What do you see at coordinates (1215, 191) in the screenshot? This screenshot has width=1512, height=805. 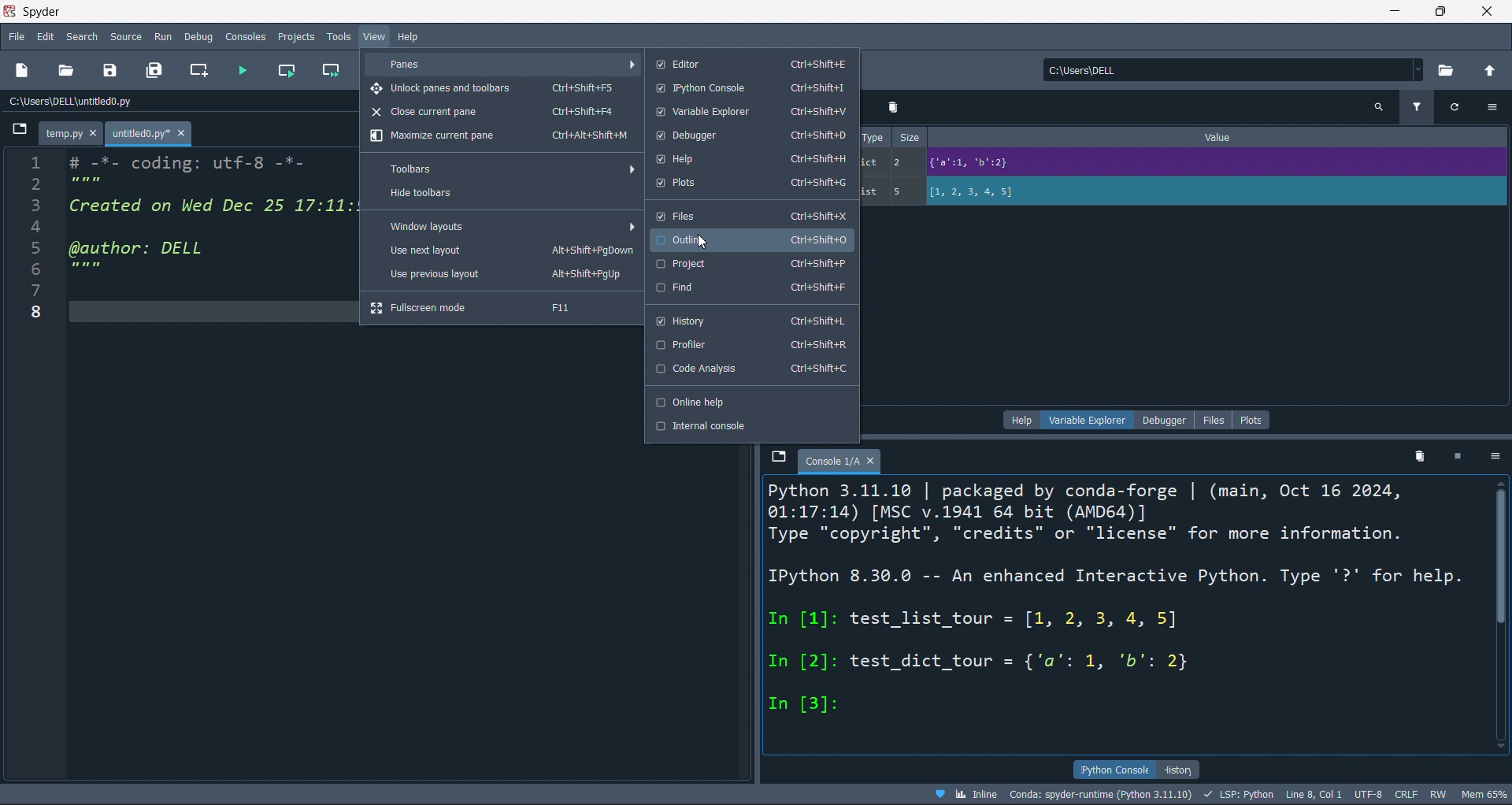 I see `value of variable` at bounding box center [1215, 191].